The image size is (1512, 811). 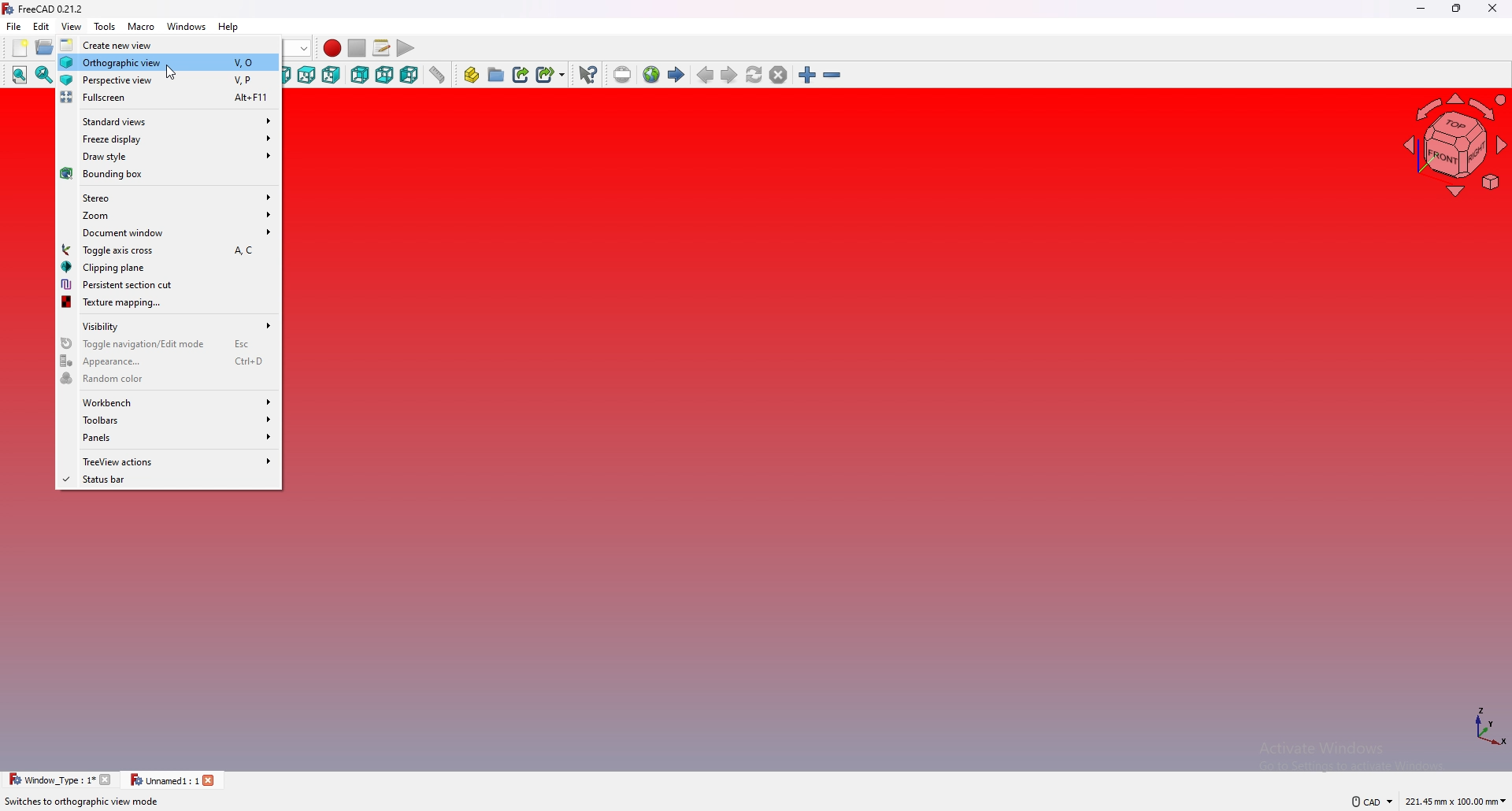 What do you see at coordinates (1369, 801) in the screenshot?
I see `CAD` at bounding box center [1369, 801].